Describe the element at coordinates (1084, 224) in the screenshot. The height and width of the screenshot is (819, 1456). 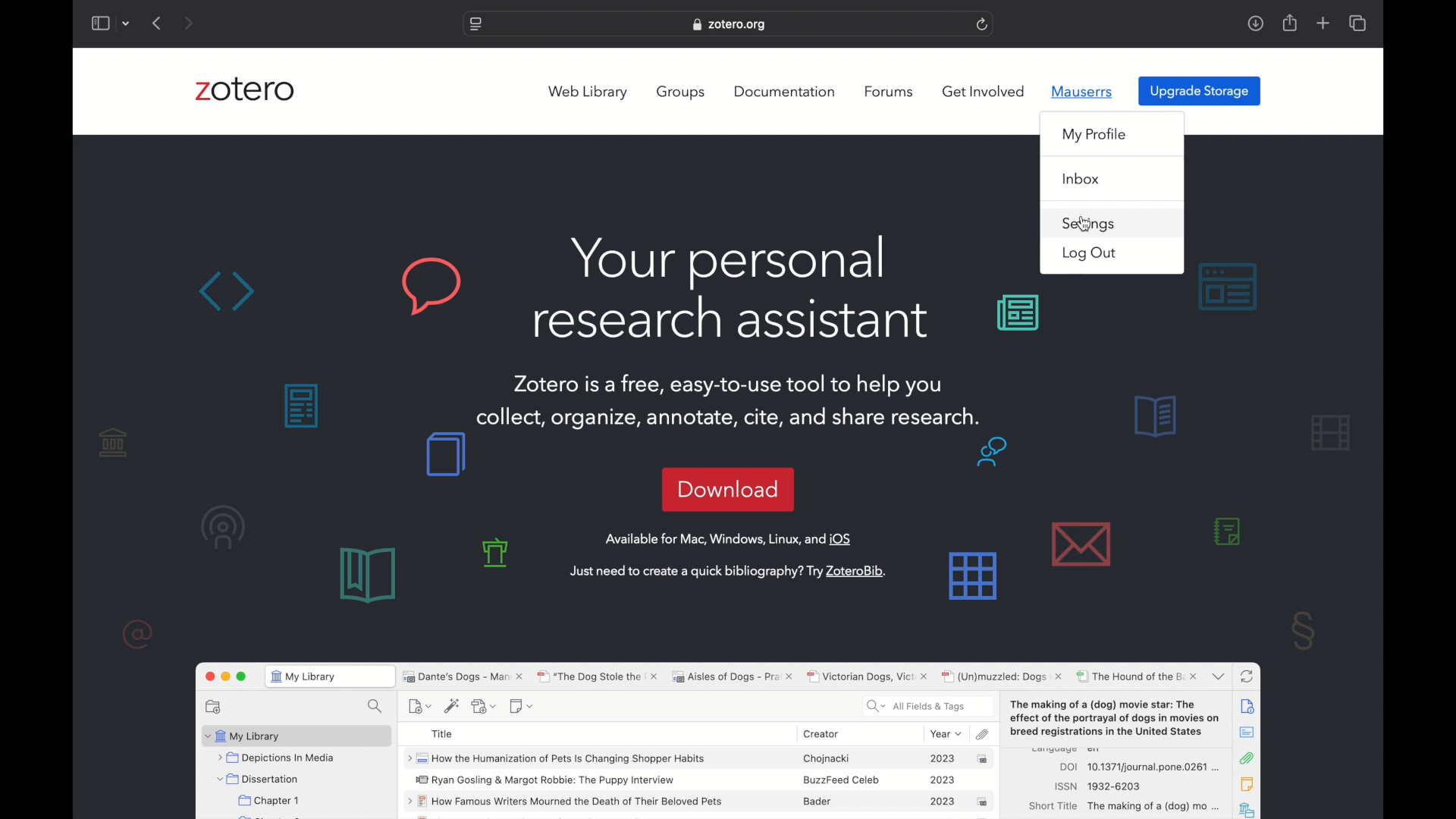
I see `cursor` at that location.